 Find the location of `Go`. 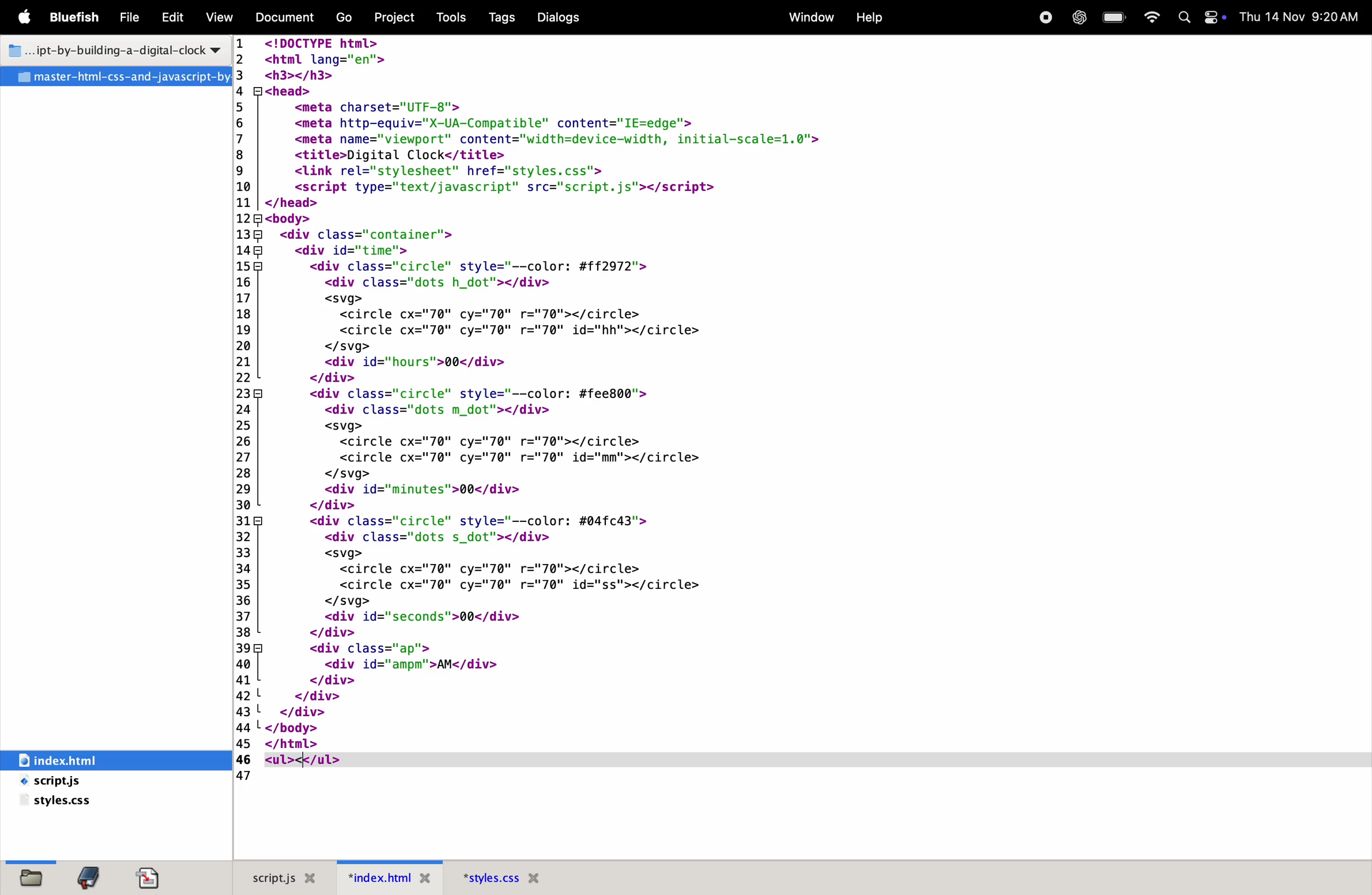

Go is located at coordinates (346, 18).